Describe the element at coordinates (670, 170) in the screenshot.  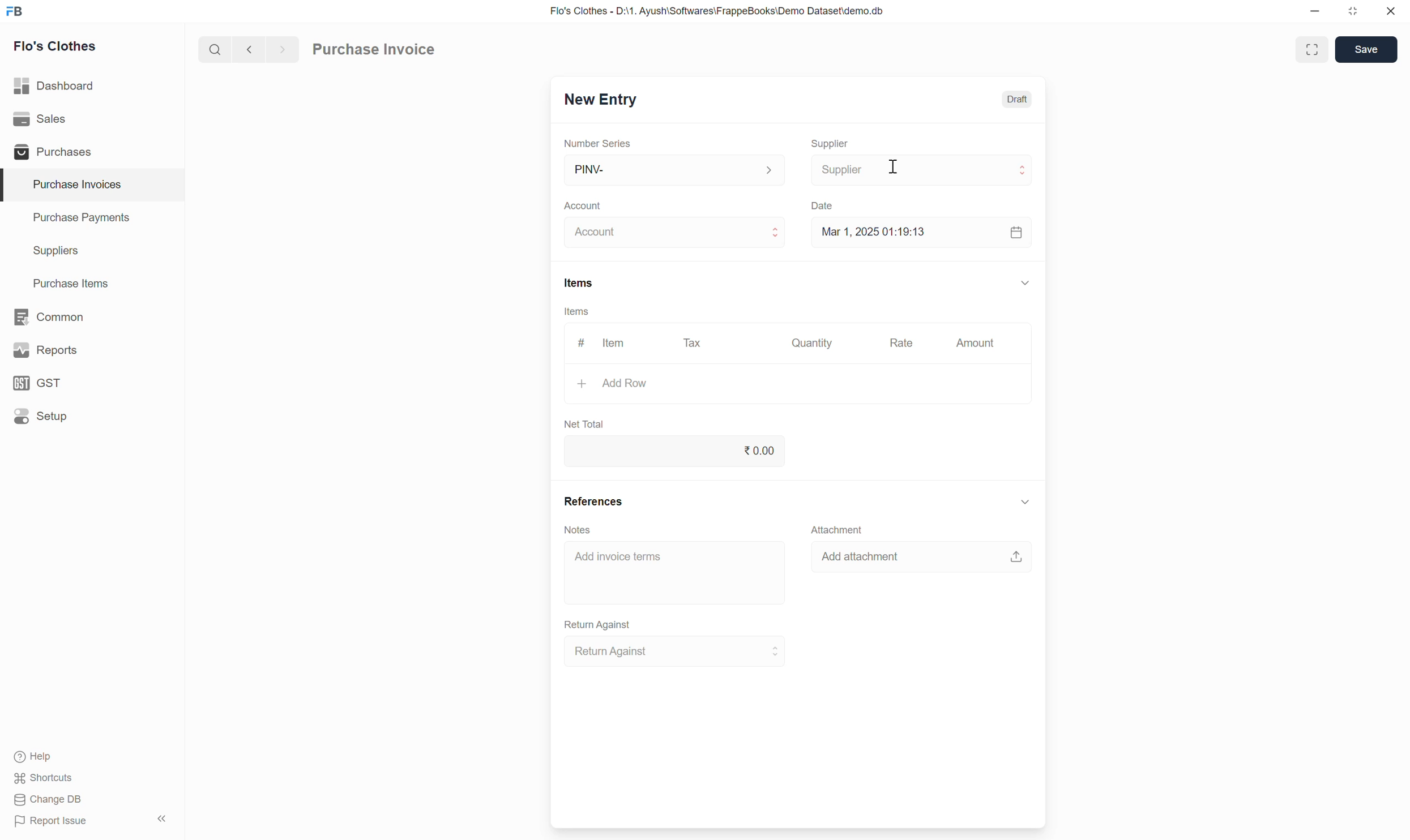
I see `PINV-` at that location.